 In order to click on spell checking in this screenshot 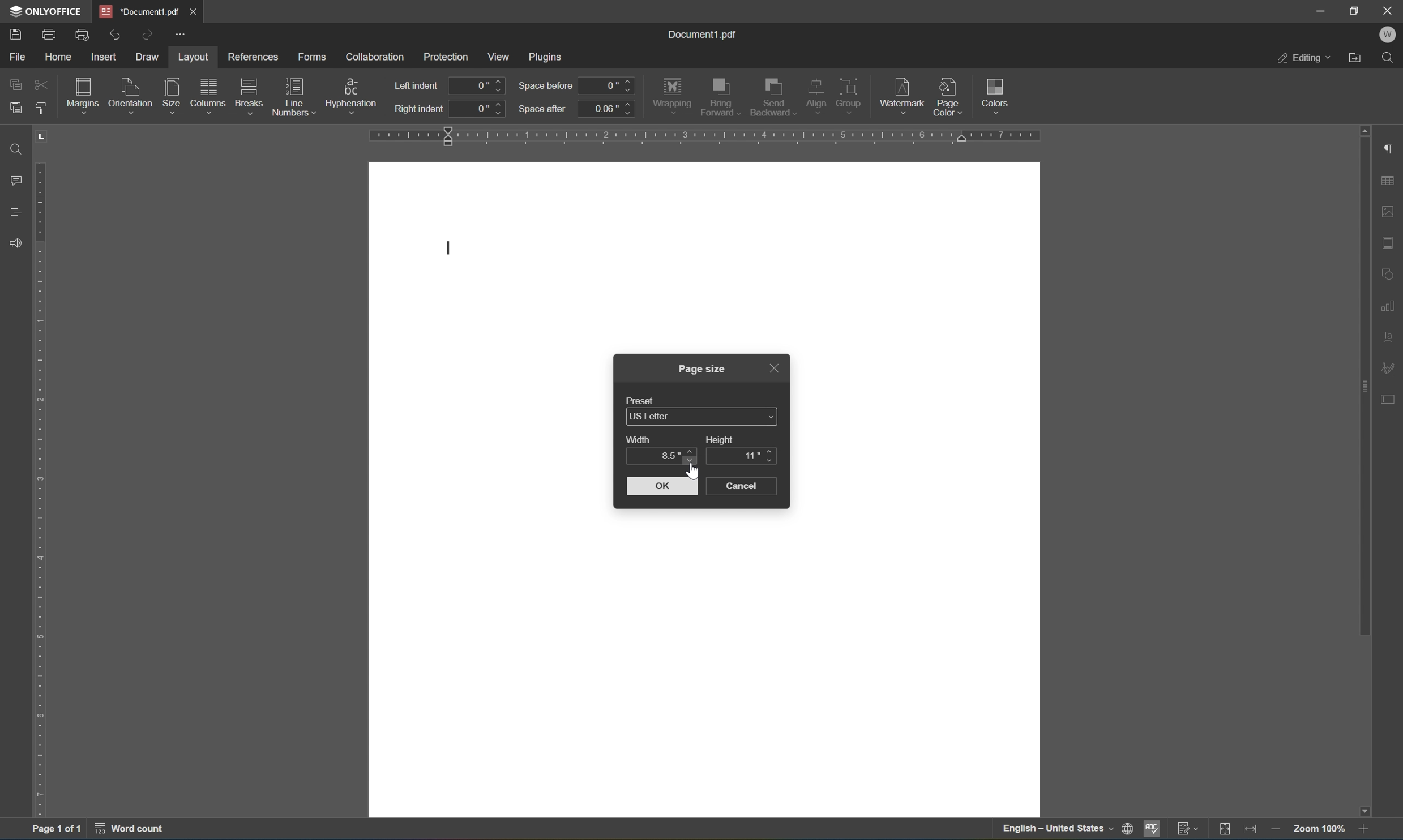, I will do `click(1152, 830)`.